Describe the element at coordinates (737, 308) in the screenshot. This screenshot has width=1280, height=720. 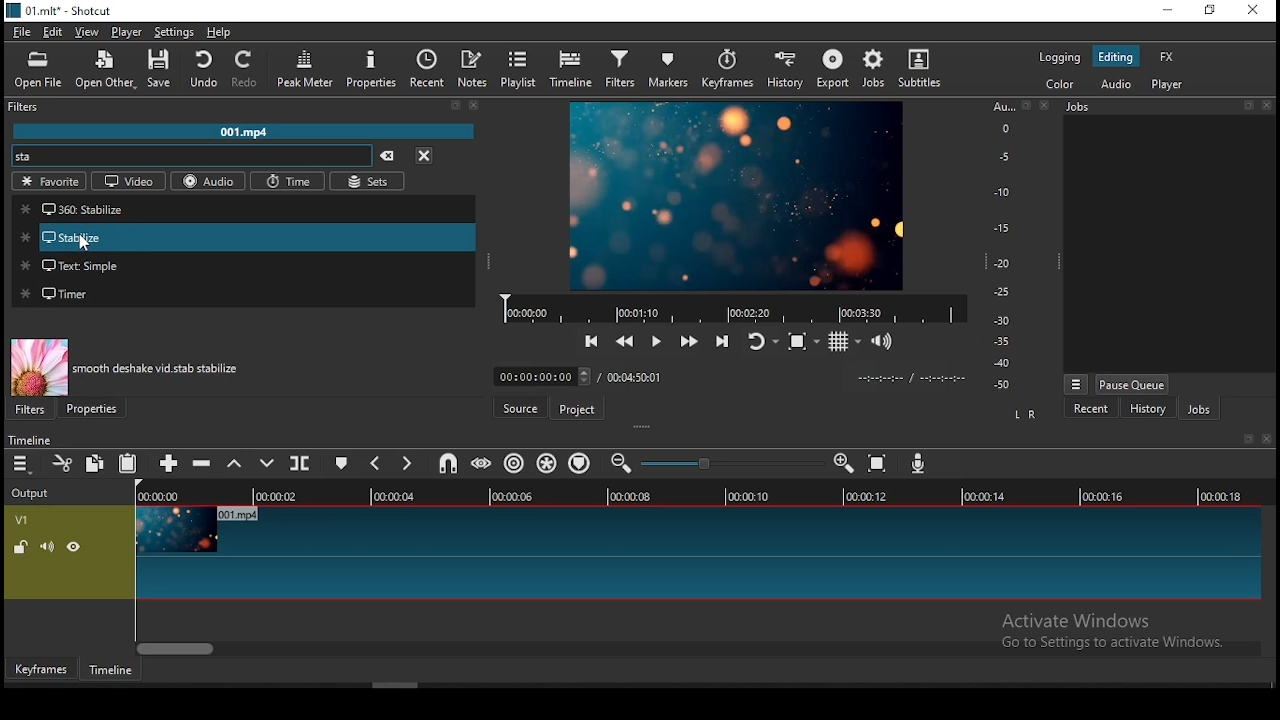
I see `timeline` at that location.